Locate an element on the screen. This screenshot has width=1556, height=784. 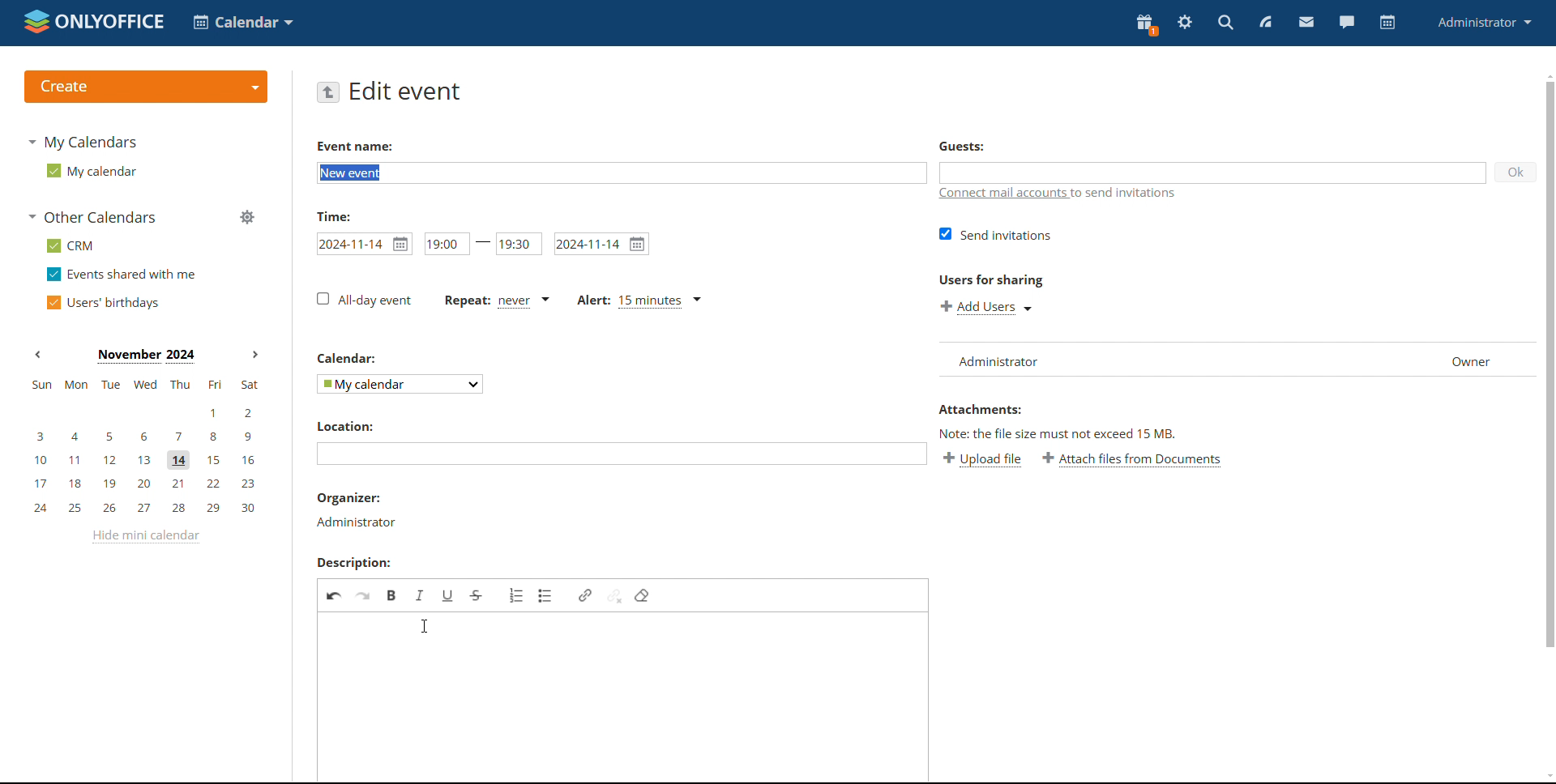
guests is located at coordinates (954, 145).